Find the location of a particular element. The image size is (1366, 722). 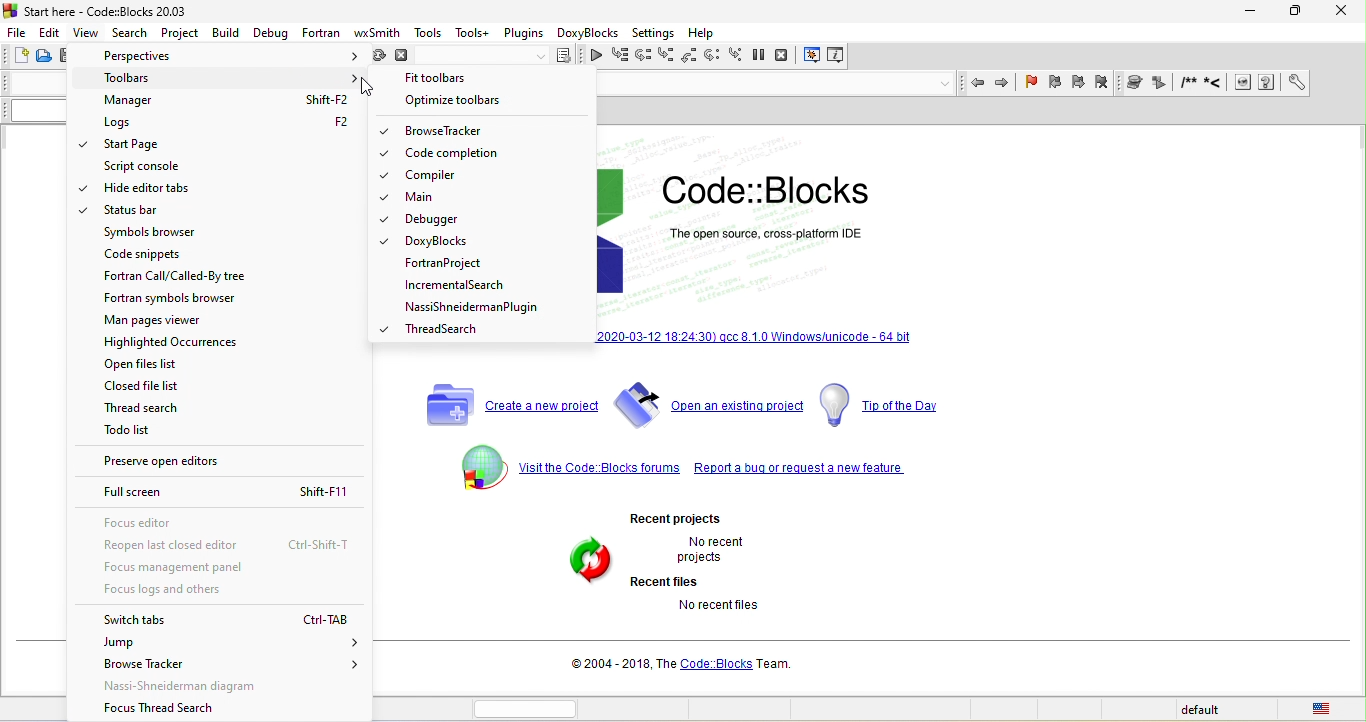

jump forward is located at coordinates (1004, 83).